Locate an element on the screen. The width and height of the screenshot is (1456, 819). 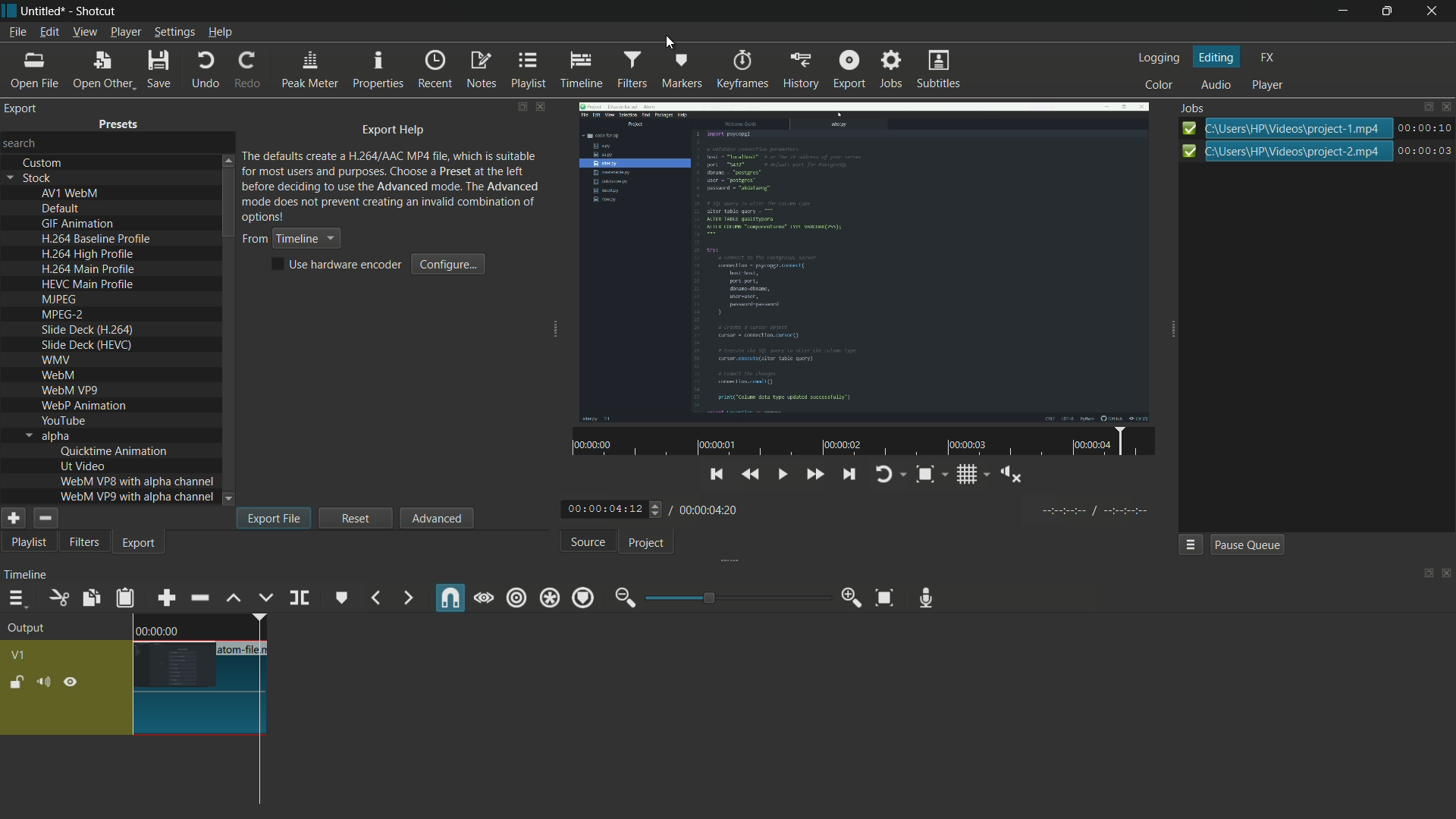
editing is located at coordinates (1218, 58).